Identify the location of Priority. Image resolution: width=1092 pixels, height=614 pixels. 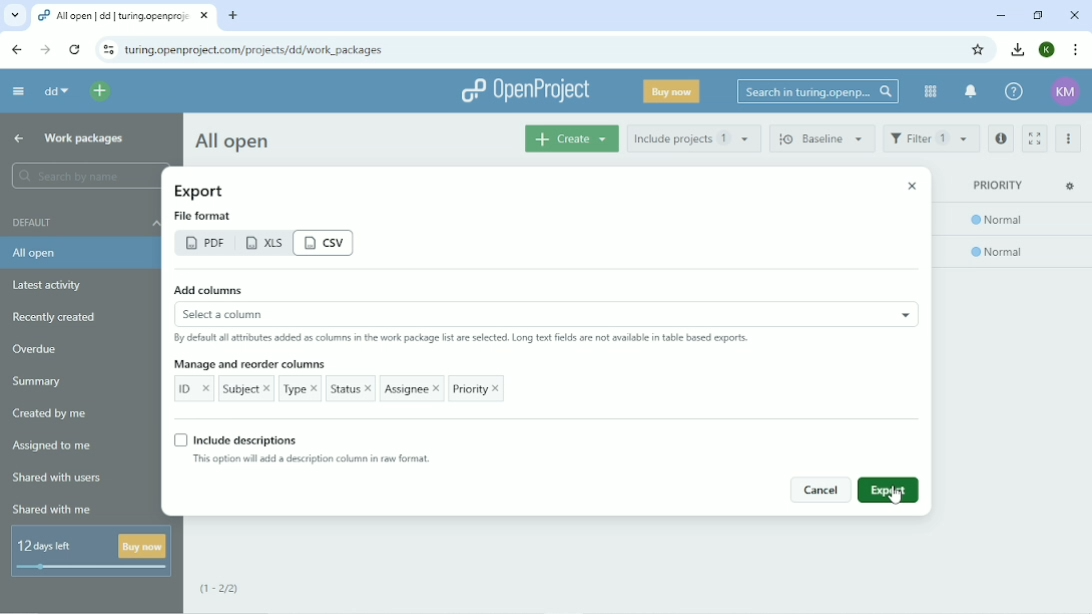
(476, 387).